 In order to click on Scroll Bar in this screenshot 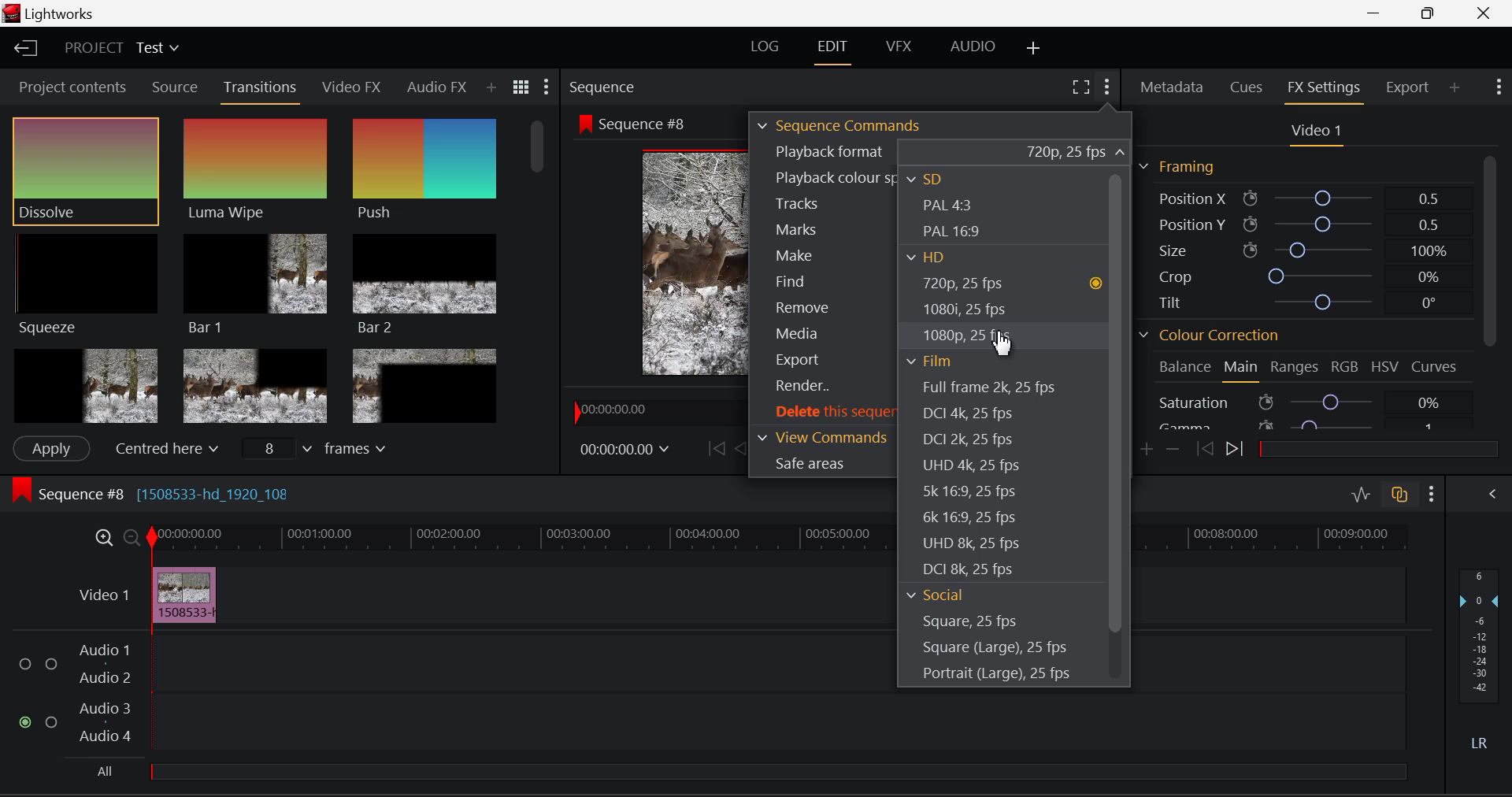, I will do `click(1490, 293)`.